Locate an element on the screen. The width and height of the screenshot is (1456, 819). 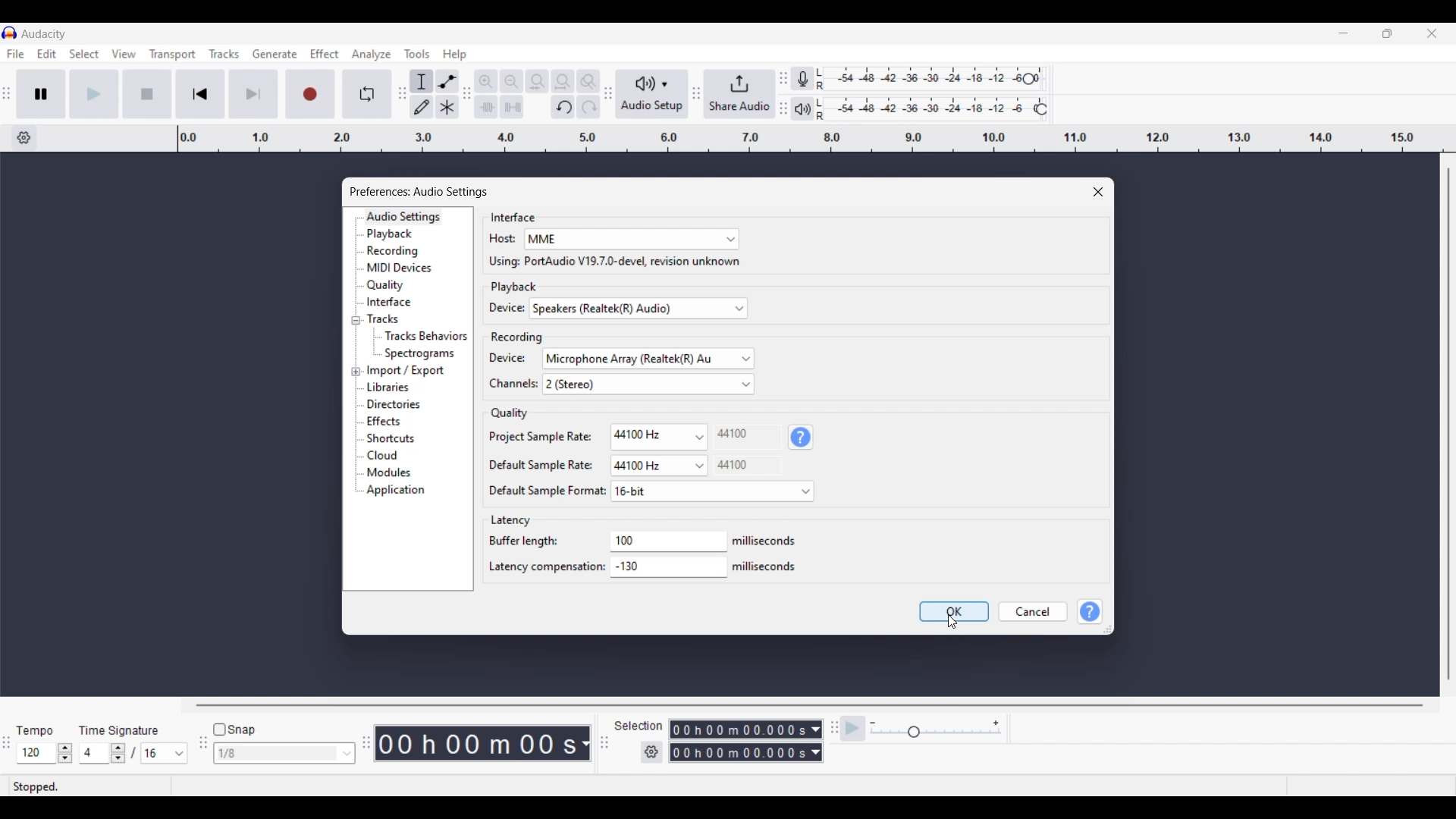
Pause is located at coordinates (41, 93).